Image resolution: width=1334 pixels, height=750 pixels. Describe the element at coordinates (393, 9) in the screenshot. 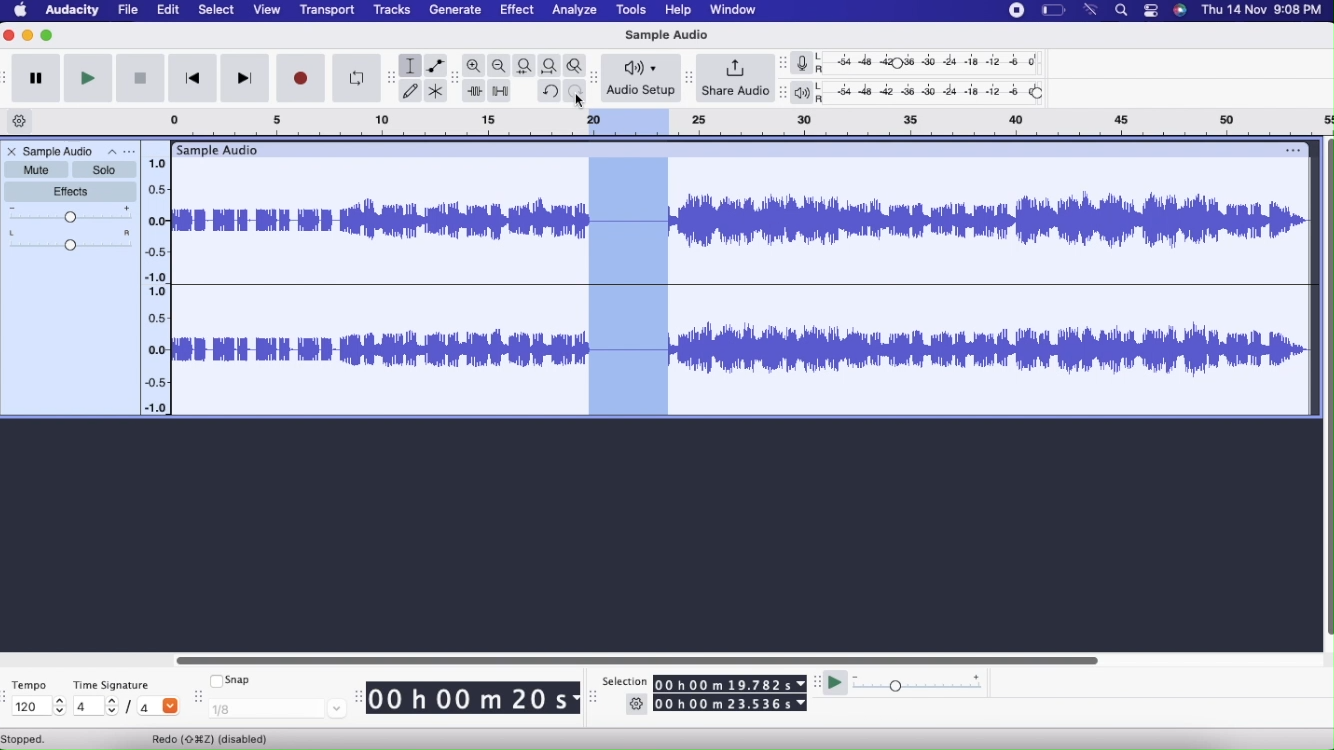

I see `Tracks` at that location.